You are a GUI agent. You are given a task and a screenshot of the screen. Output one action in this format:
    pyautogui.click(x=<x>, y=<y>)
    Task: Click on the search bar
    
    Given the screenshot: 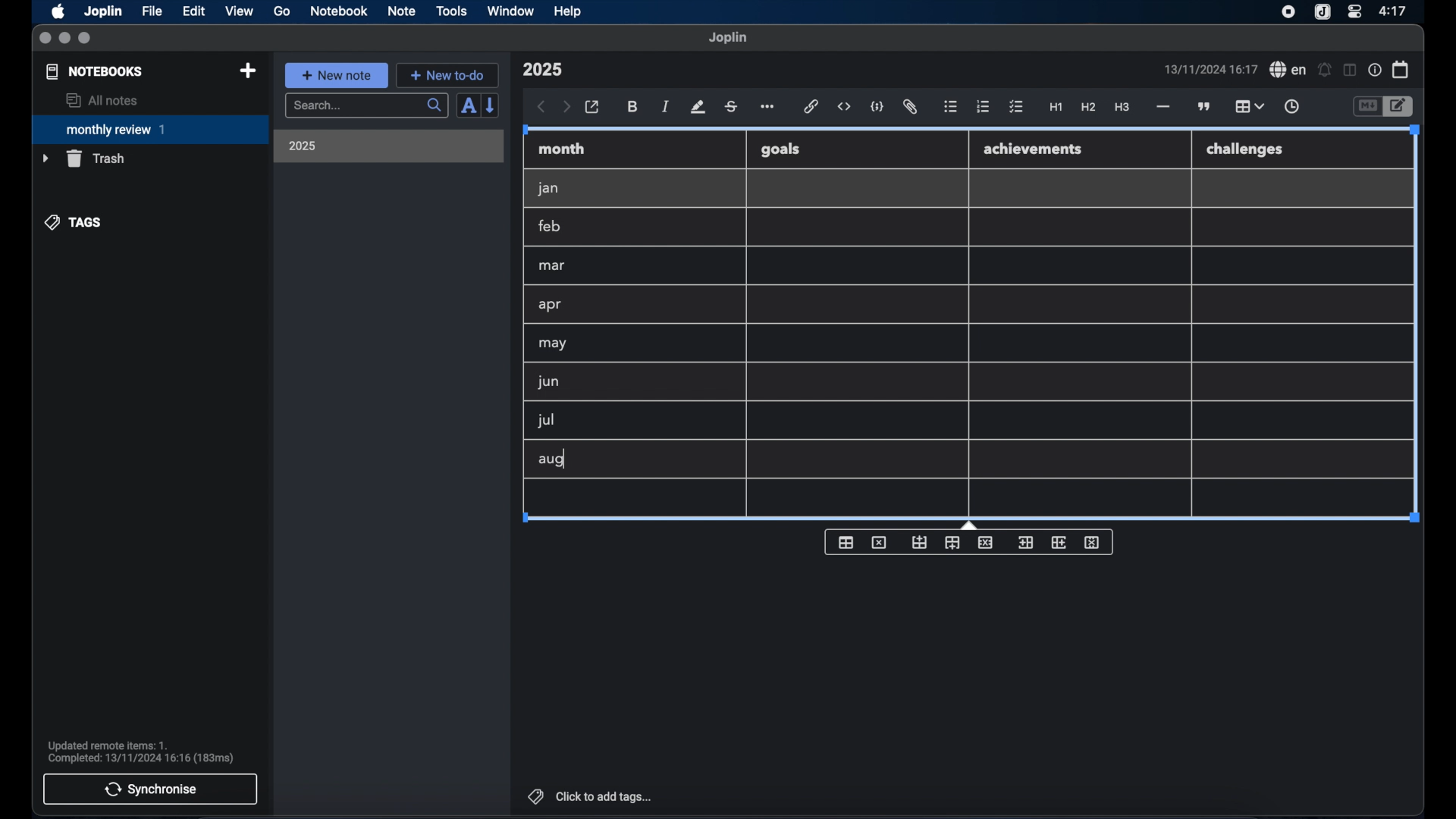 What is the action you would take?
    pyautogui.click(x=366, y=107)
    